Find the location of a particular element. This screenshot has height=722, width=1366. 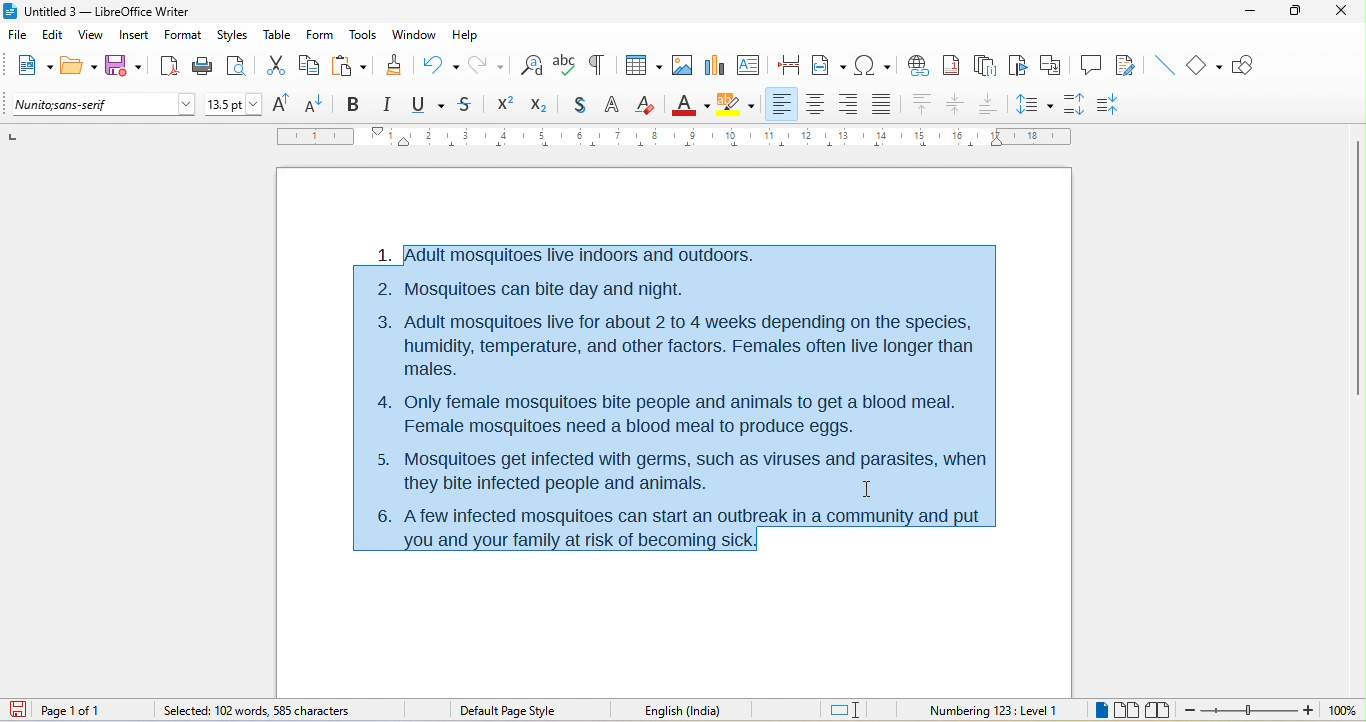

tools is located at coordinates (365, 36).